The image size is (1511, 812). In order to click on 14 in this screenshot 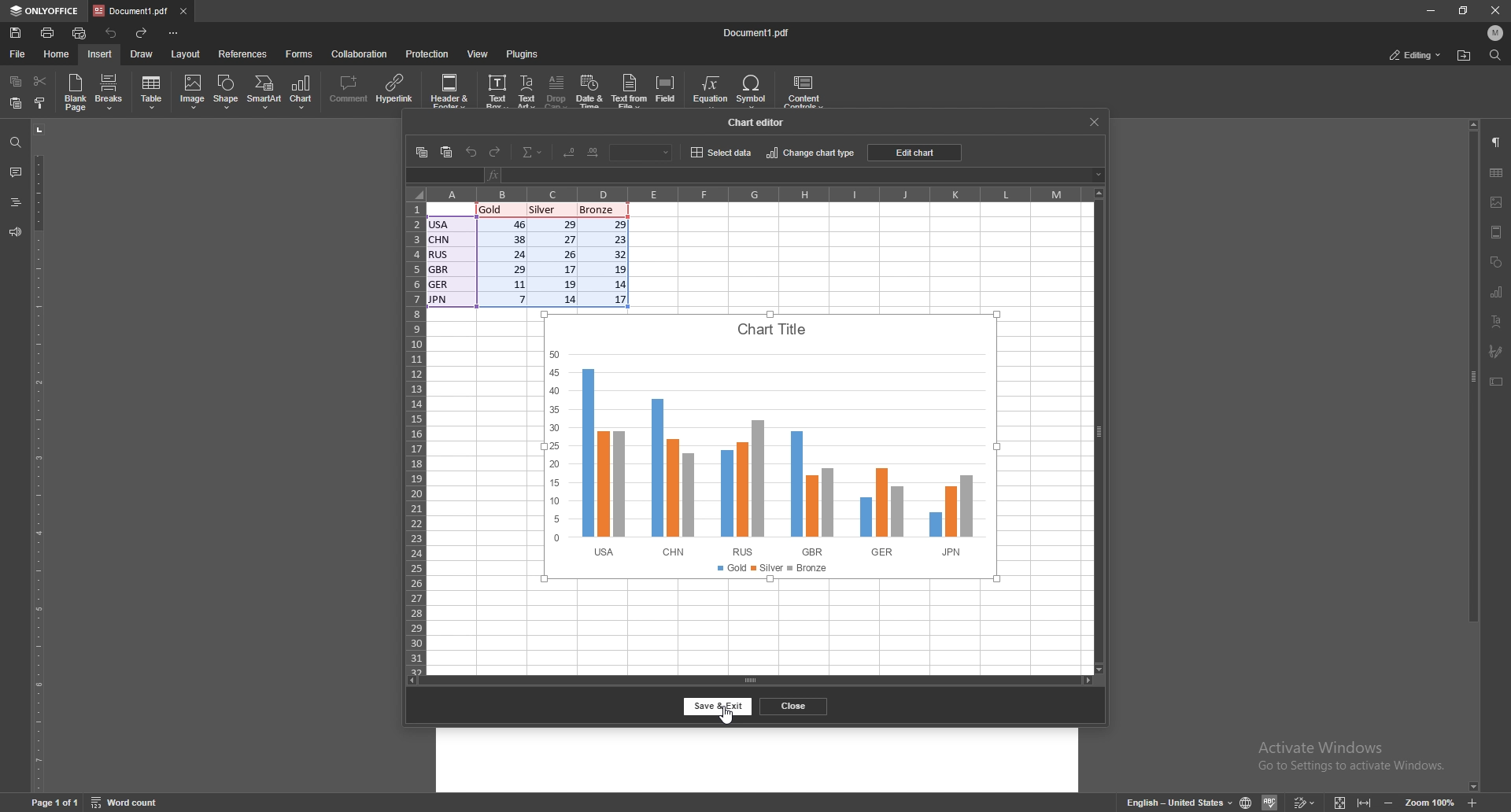, I will do `click(617, 283)`.